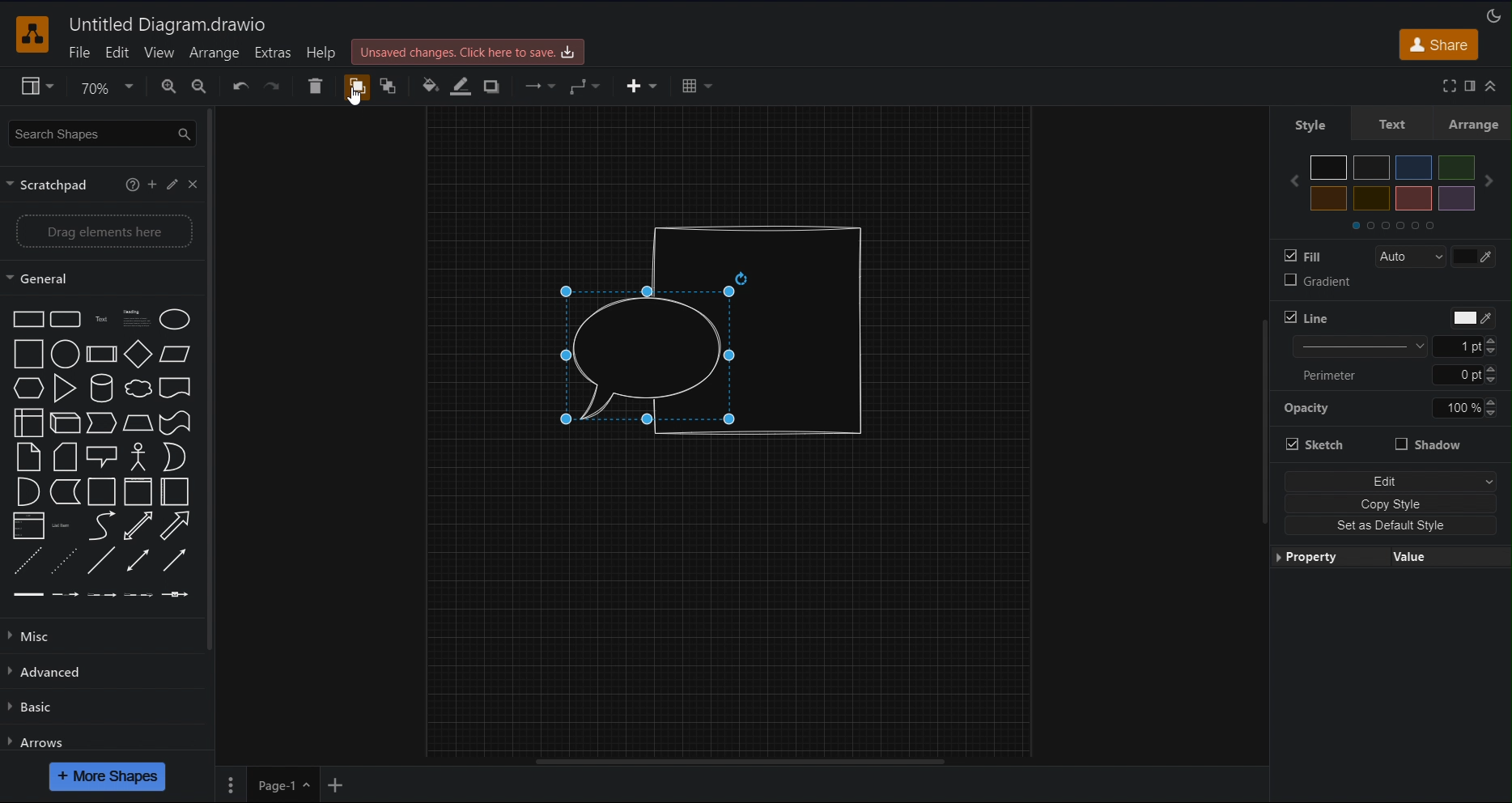 This screenshot has height=803, width=1512. I want to click on To Front, highlighted, so click(358, 86).